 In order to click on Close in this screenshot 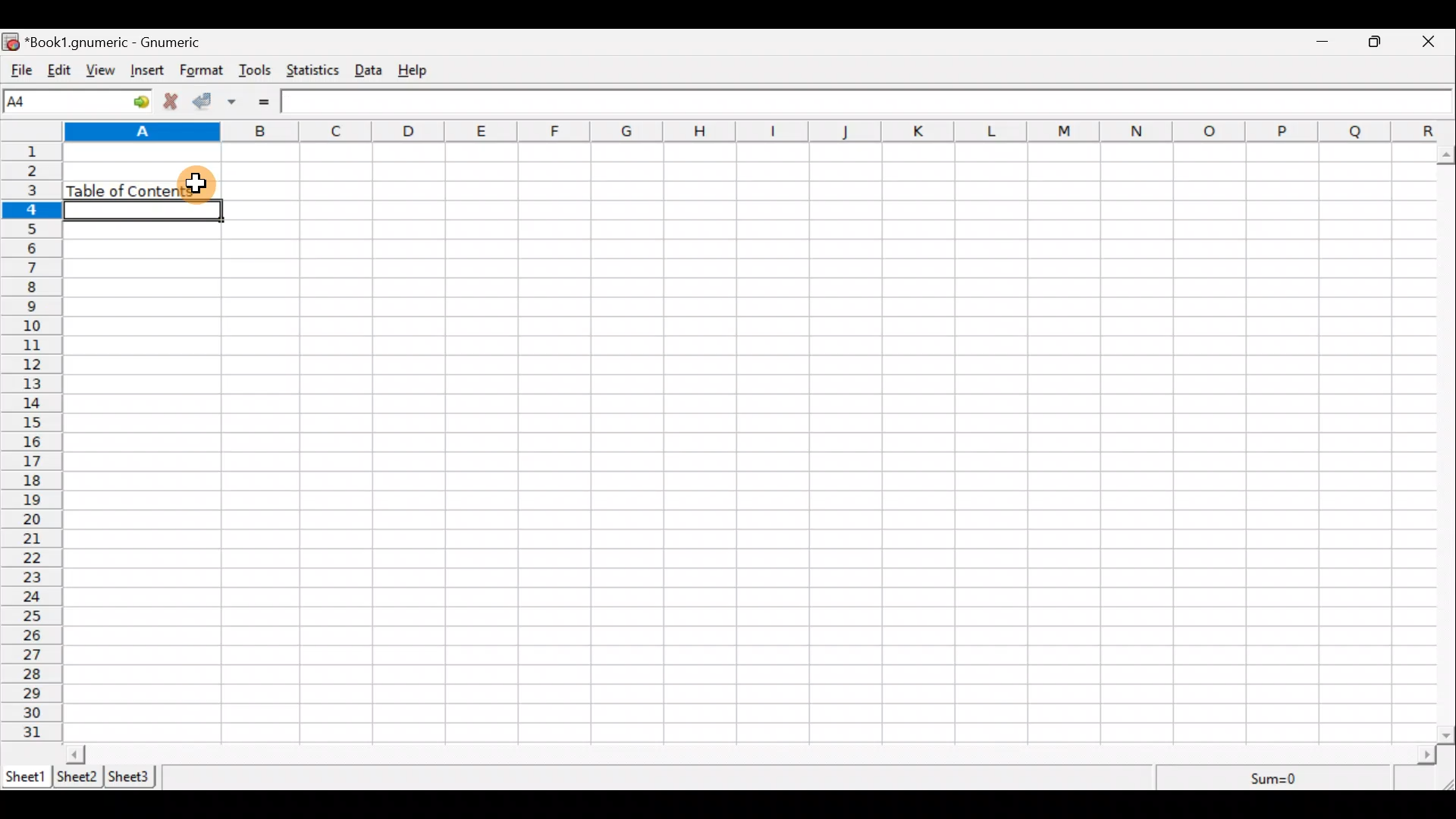, I will do `click(1435, 42)`.